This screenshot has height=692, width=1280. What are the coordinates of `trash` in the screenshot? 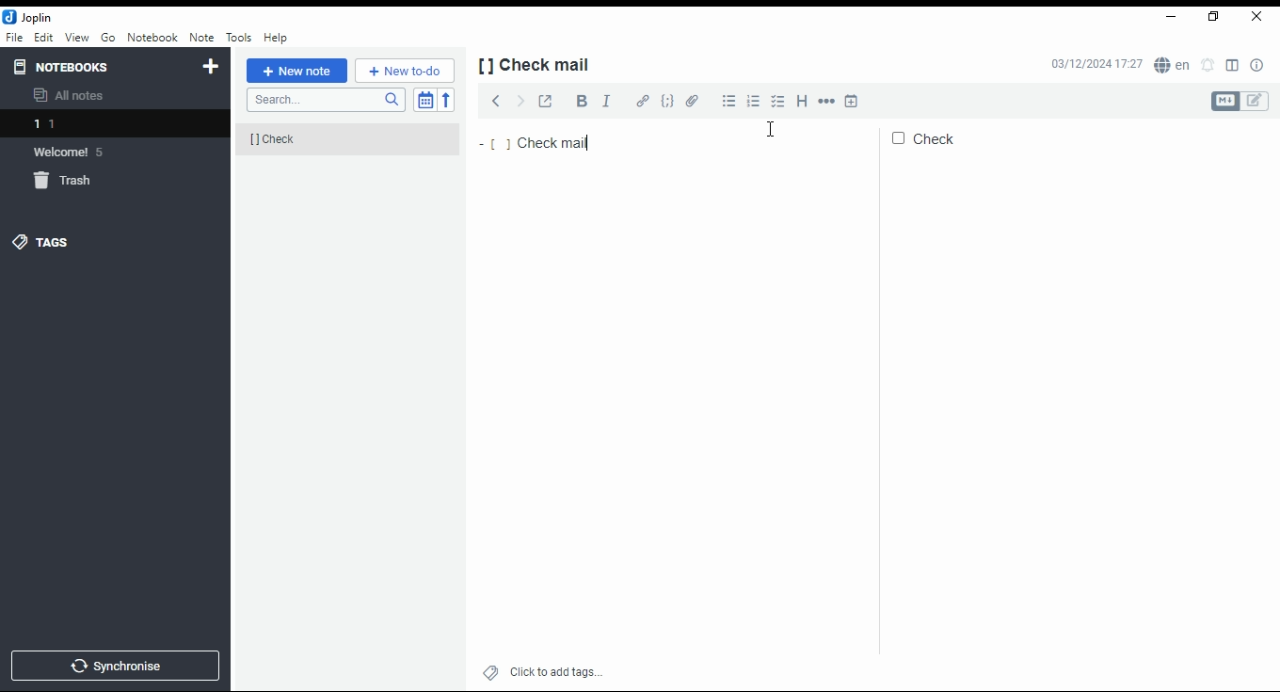 It's located at (64, 180).